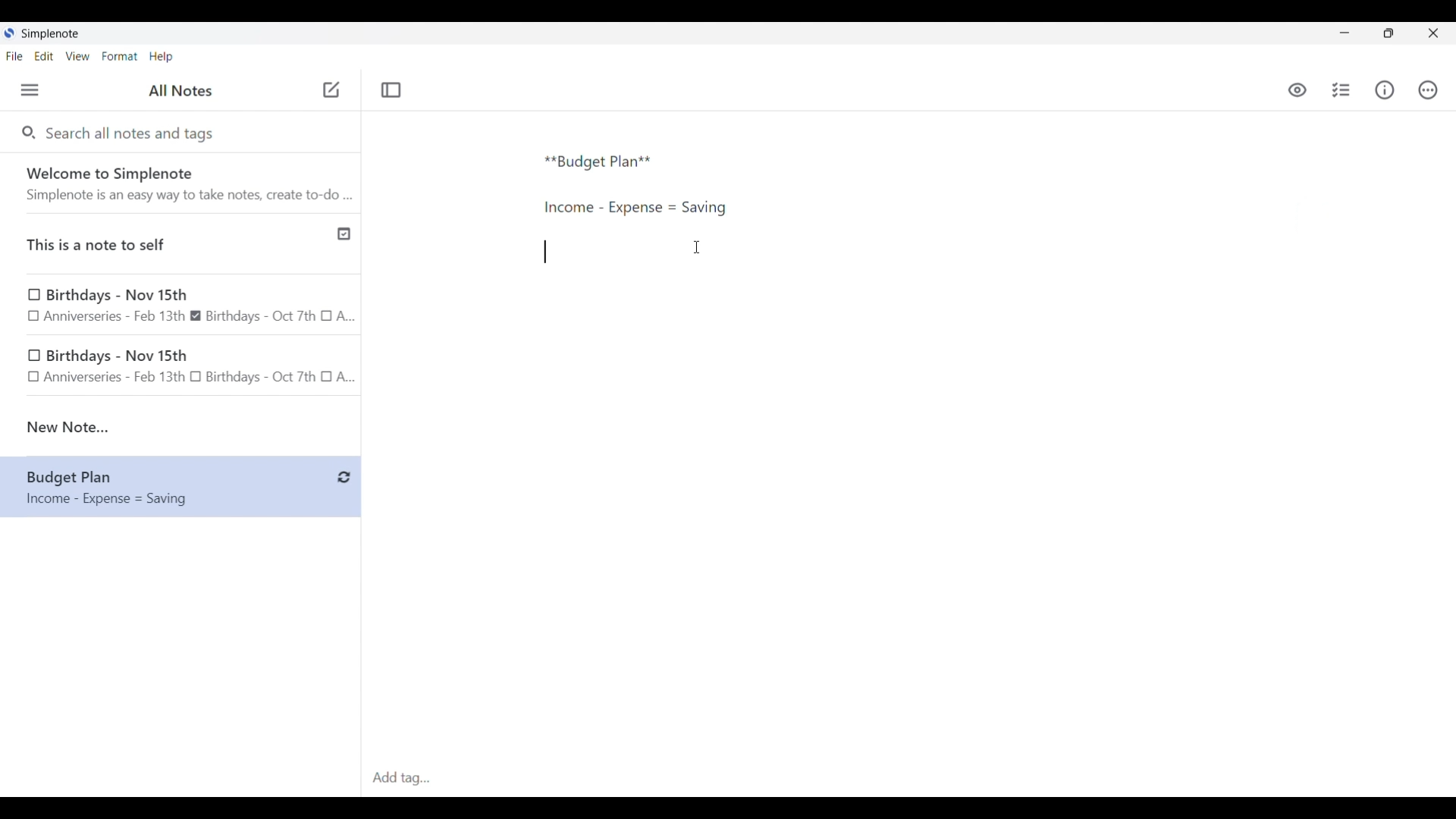  Describe the element at coordinates (1385, 89) in the screenshot. I see `Info` at that location.